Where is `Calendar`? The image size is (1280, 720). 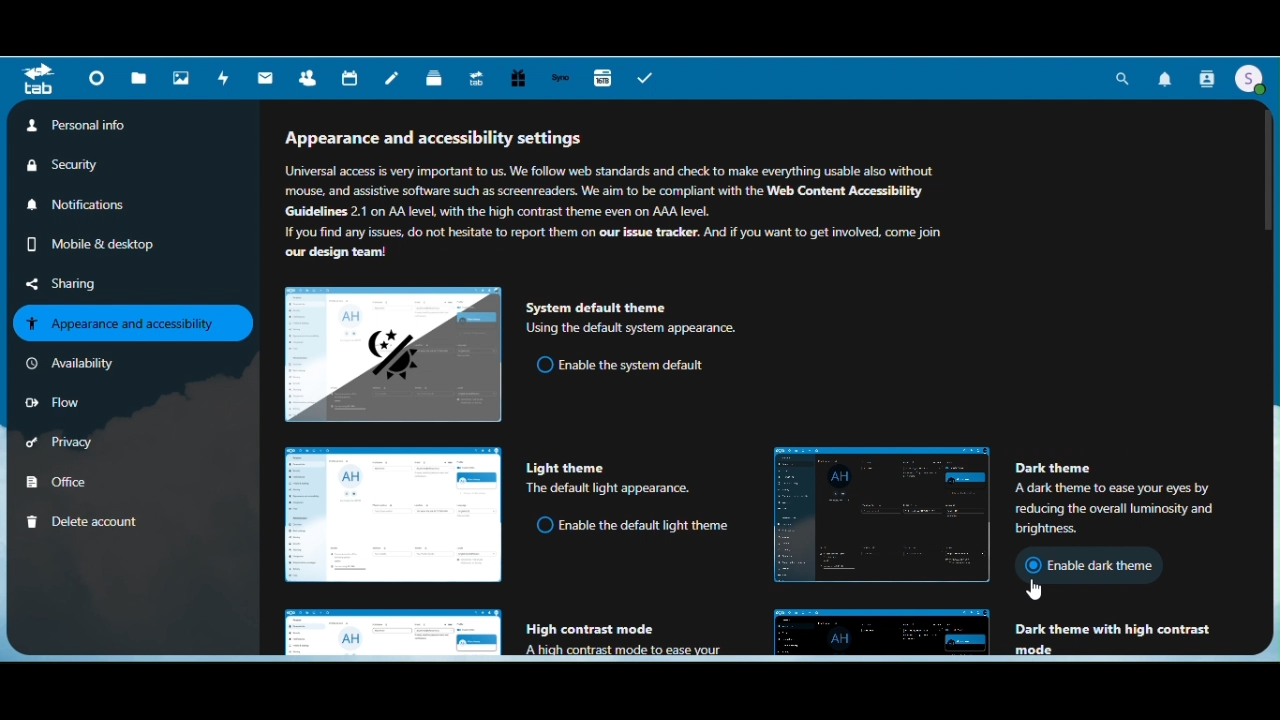 Calendar is located at coordinates (349, 78).